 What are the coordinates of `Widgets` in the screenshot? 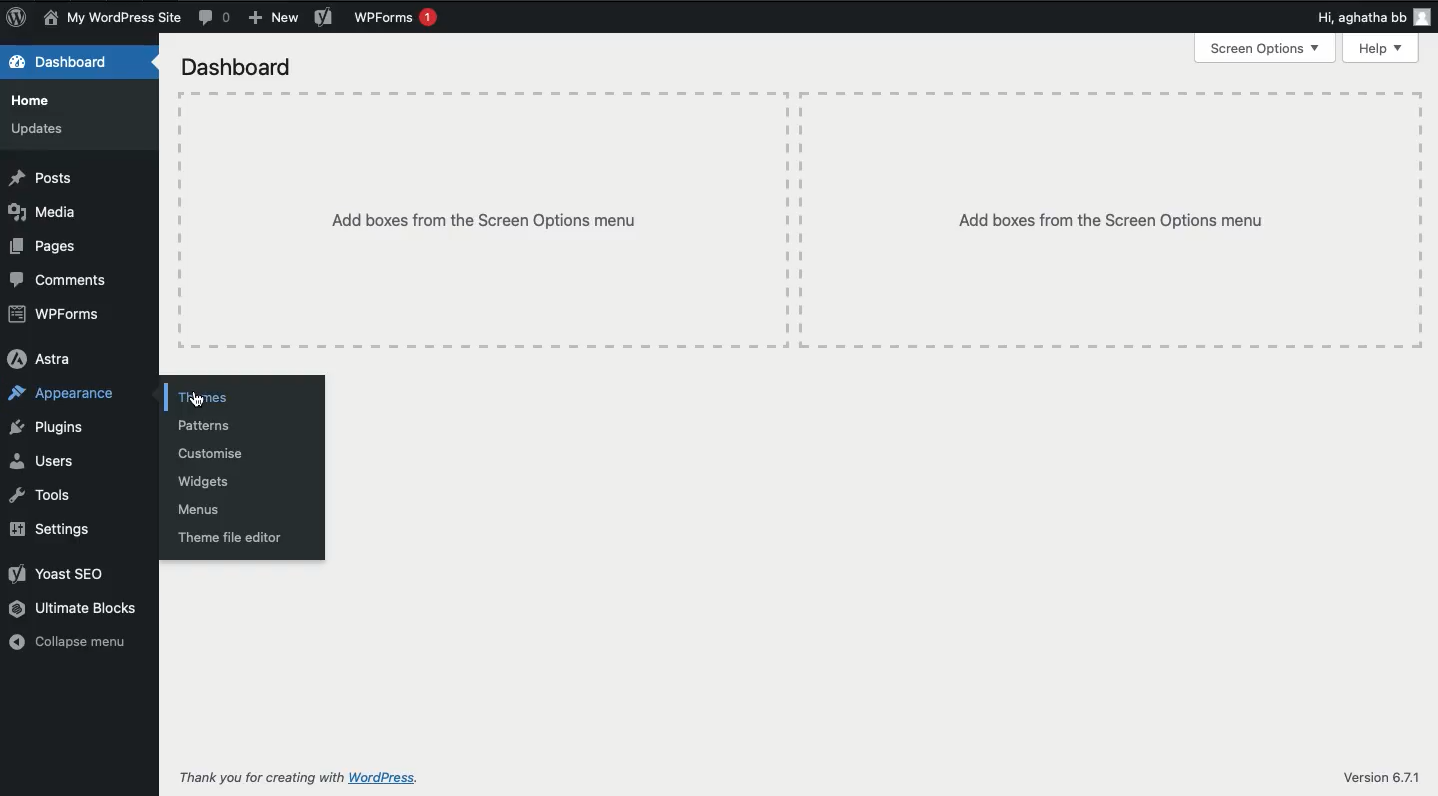 It's located at (207, 482).